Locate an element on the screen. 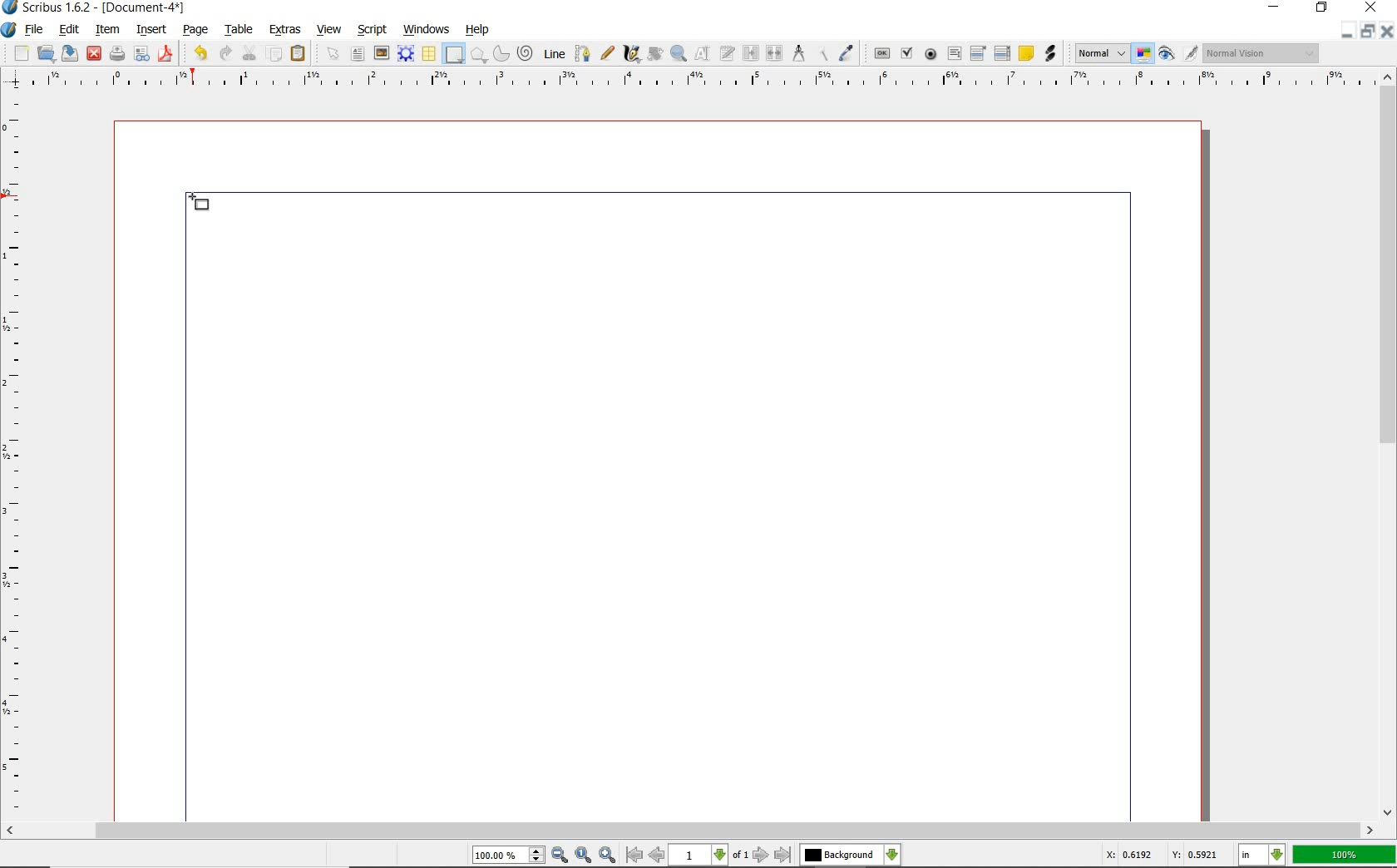 The image size is (1397, 868). of 1 is located at coordinates (742, 856).